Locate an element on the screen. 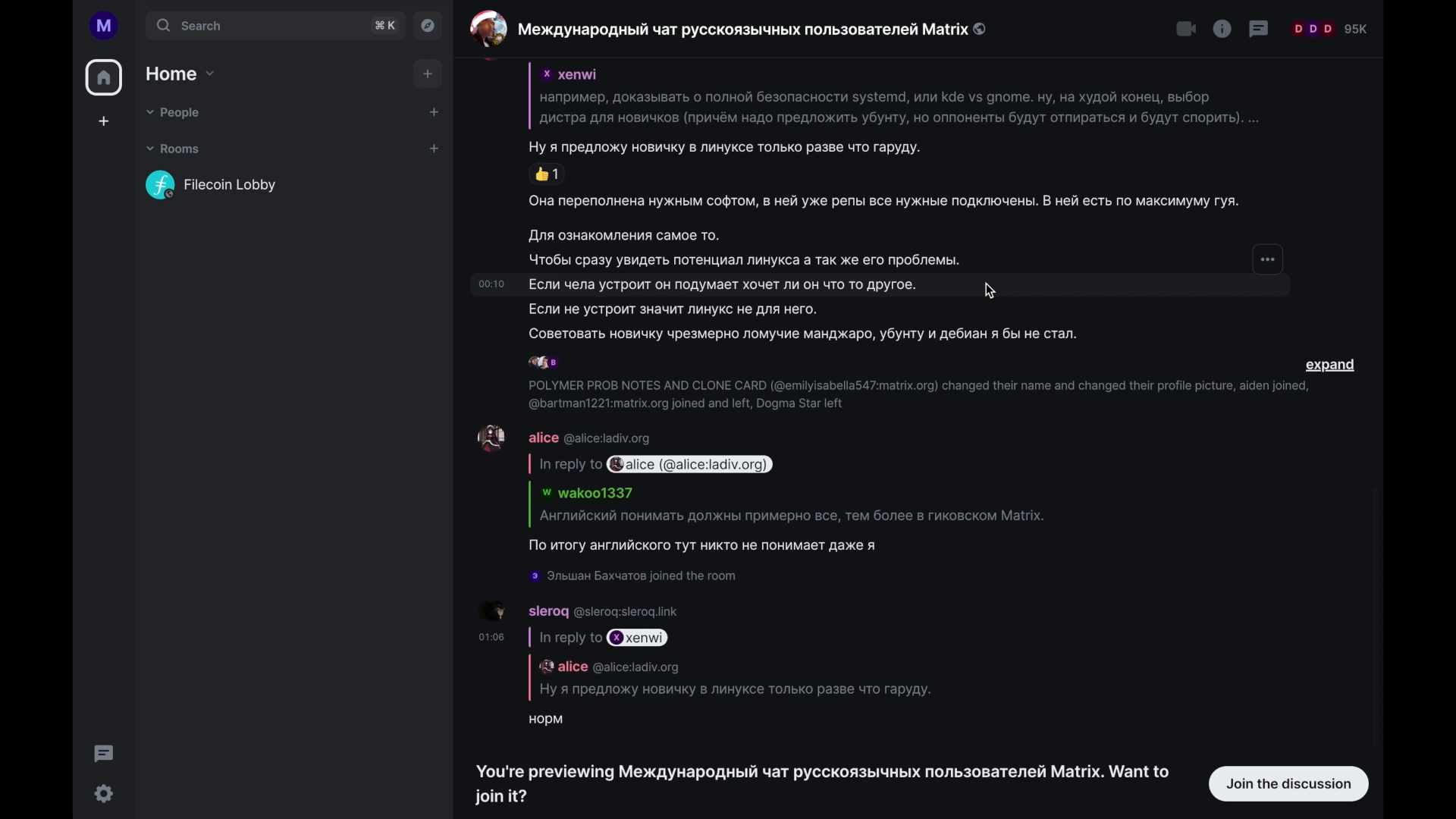 The image size is (1456, 819). home dropdown is located at coordinates (181, 74).